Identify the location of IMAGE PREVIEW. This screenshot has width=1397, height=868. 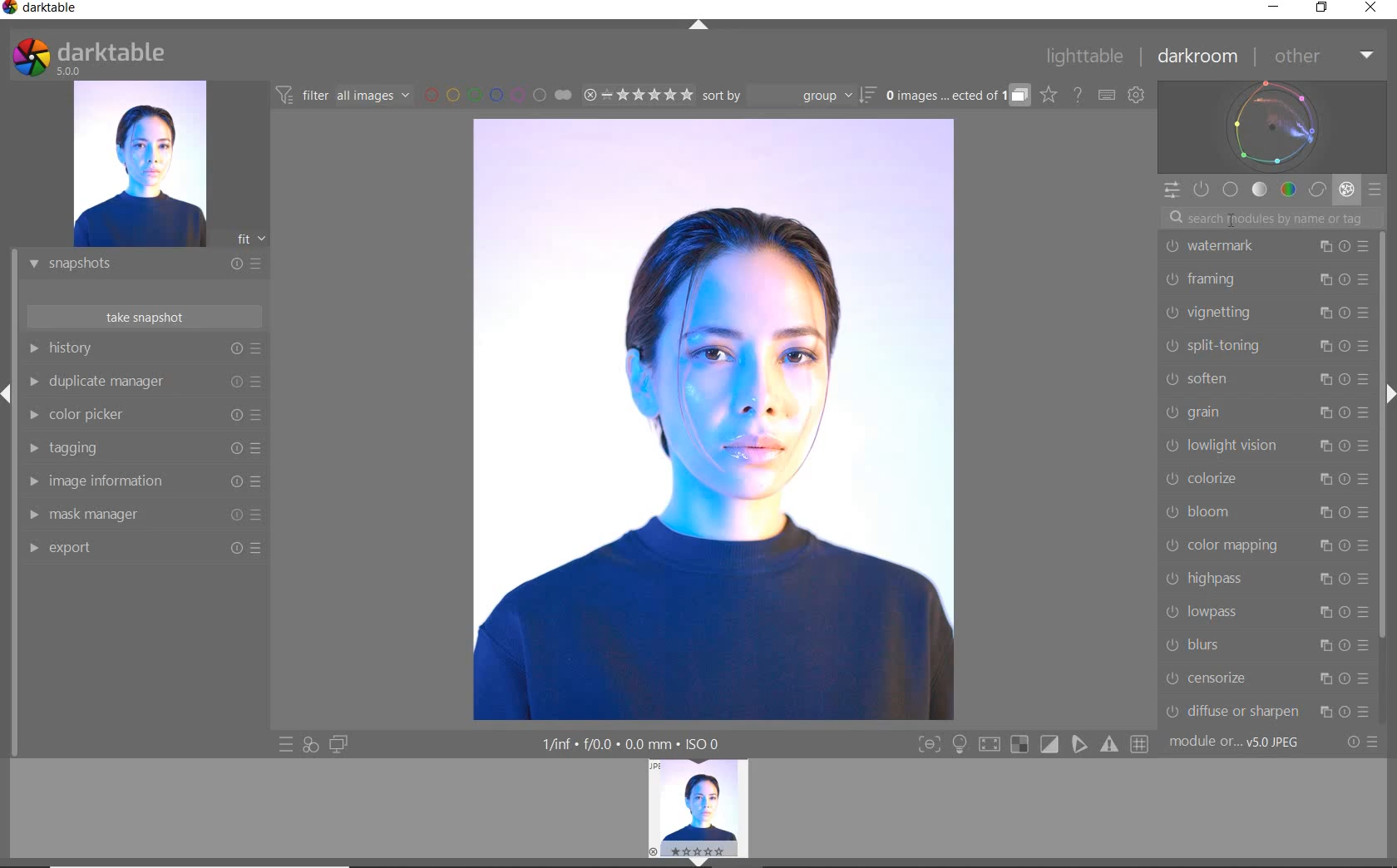
(139, 165).